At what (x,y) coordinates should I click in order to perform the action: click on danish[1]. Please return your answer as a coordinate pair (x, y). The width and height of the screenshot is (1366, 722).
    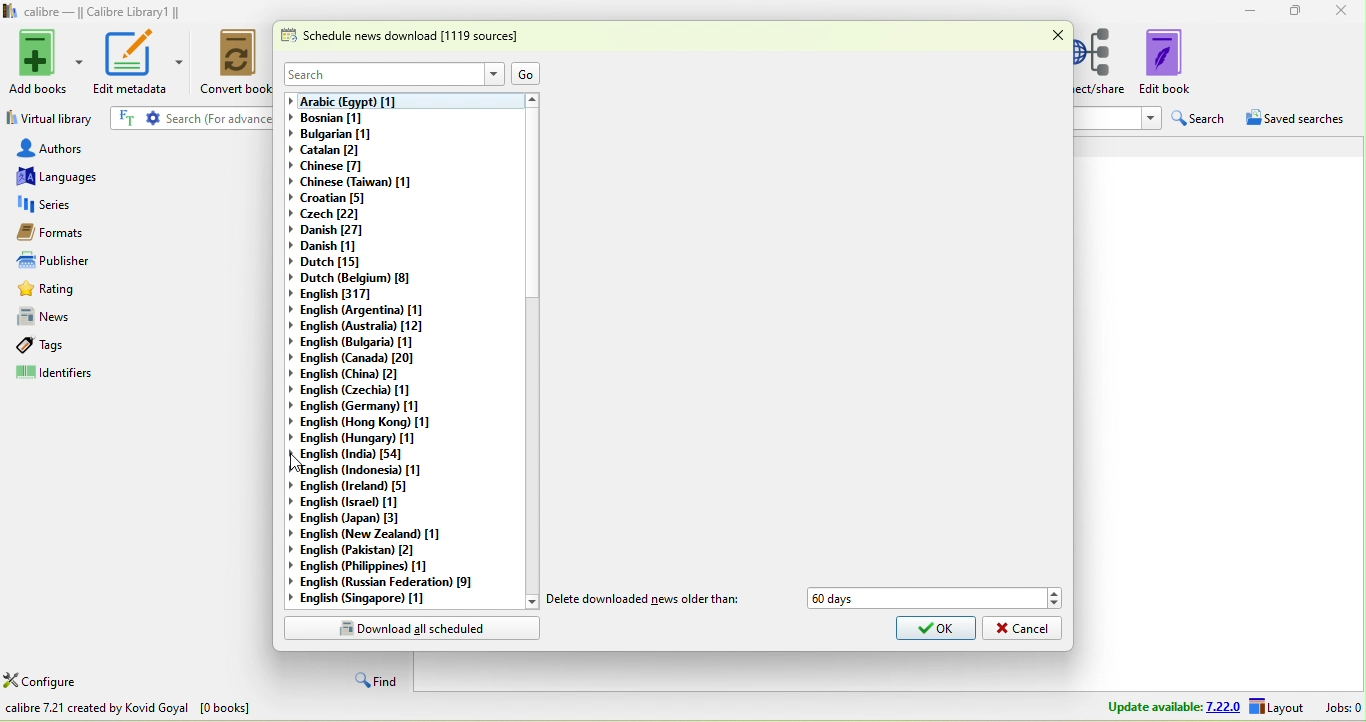
    Looking at the image, I should click on (340, 247).